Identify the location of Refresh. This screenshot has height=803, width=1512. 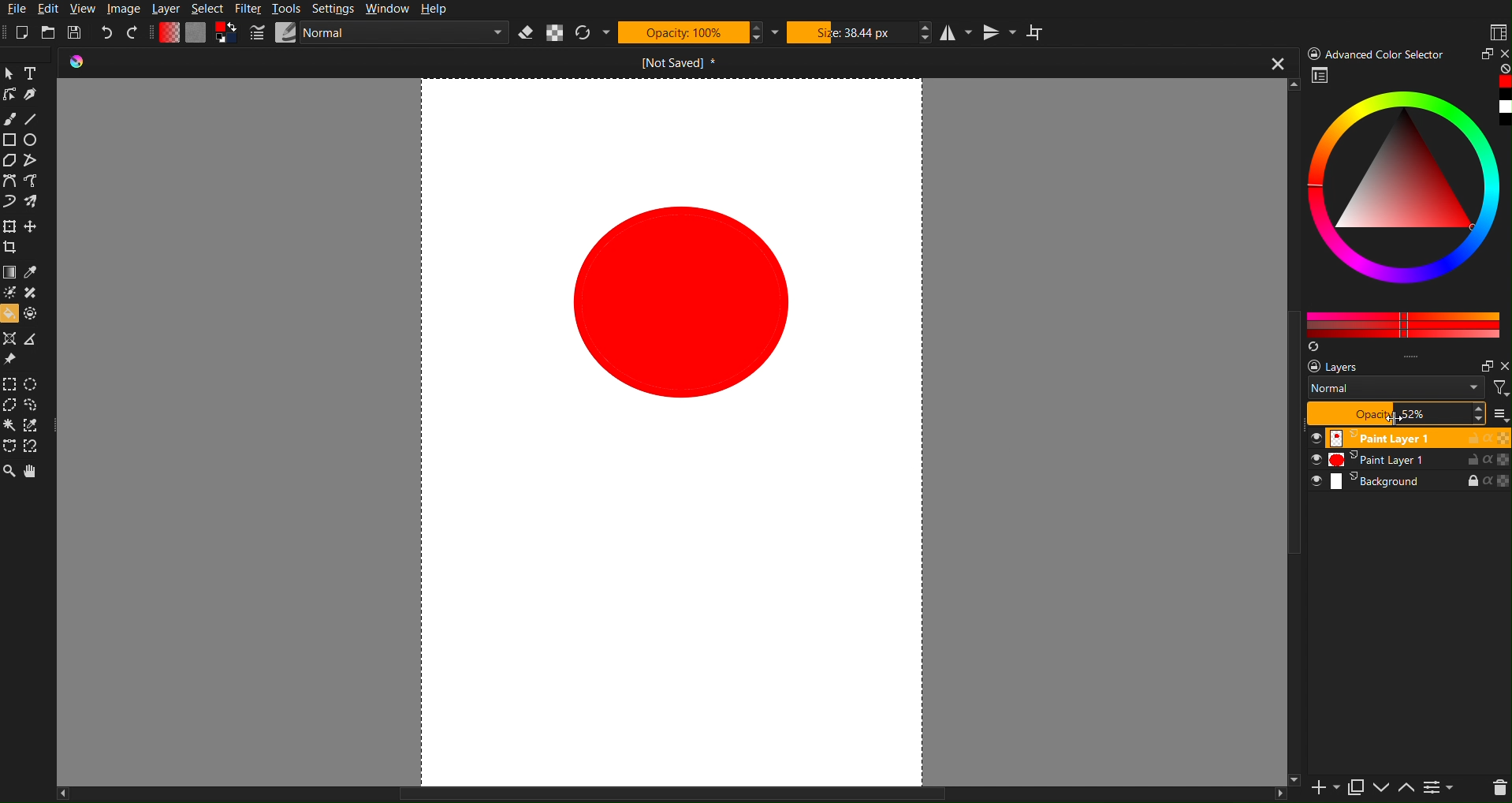
(1313, 347).